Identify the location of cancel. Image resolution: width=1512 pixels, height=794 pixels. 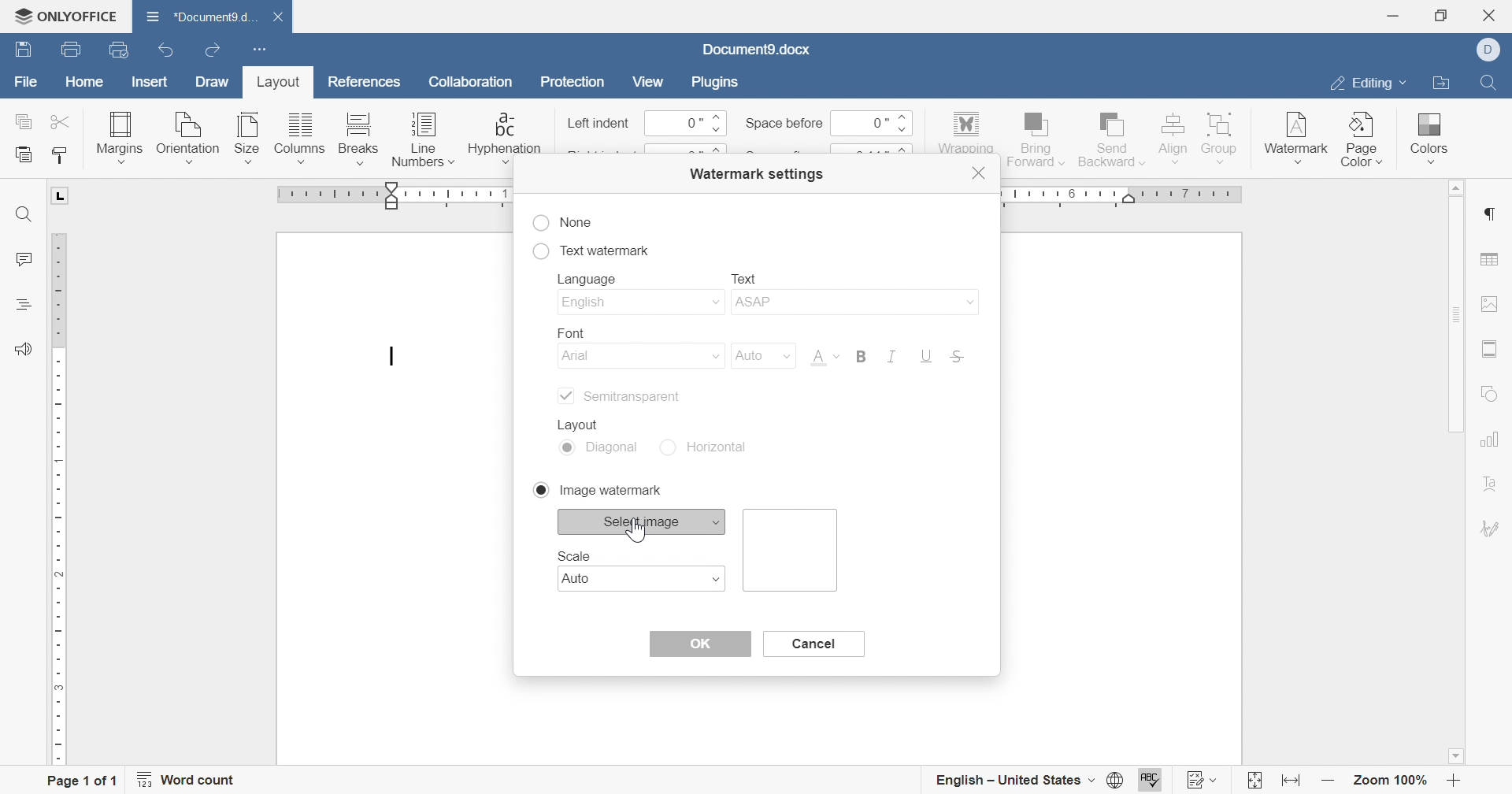
(811, 643).